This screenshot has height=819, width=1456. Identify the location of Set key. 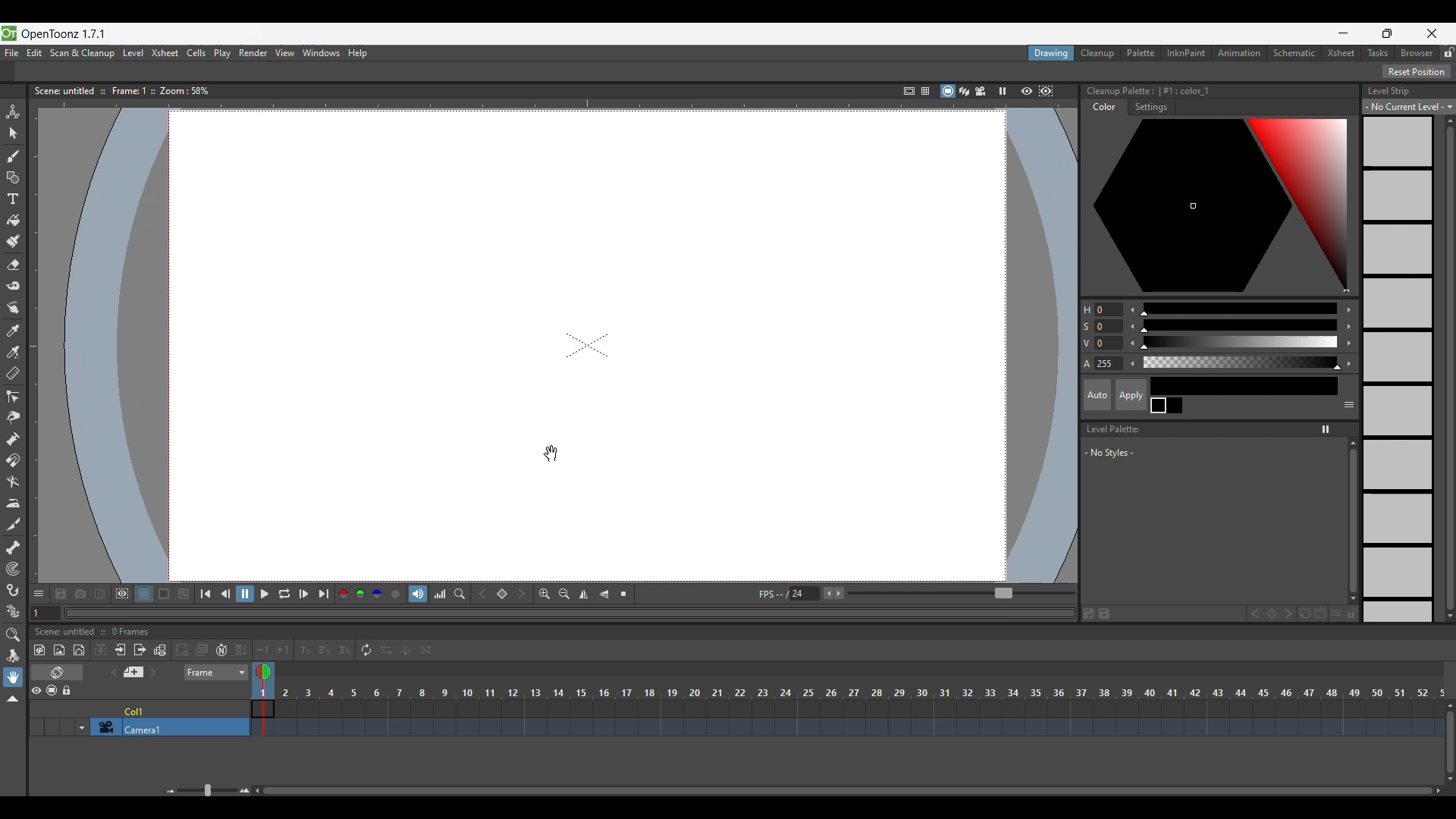
(503, 594).